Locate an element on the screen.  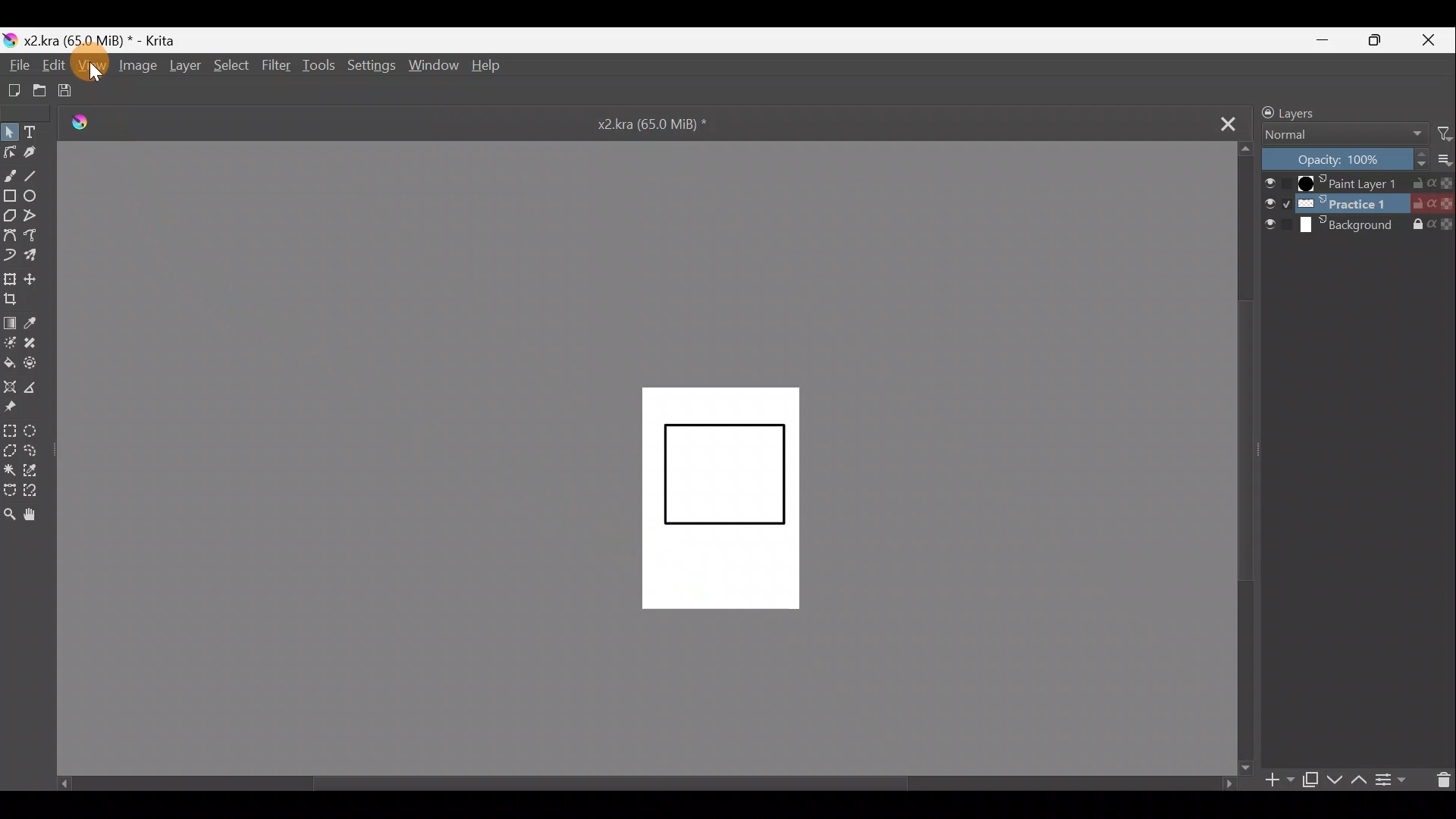
Help is located at coordinates (493, 69).